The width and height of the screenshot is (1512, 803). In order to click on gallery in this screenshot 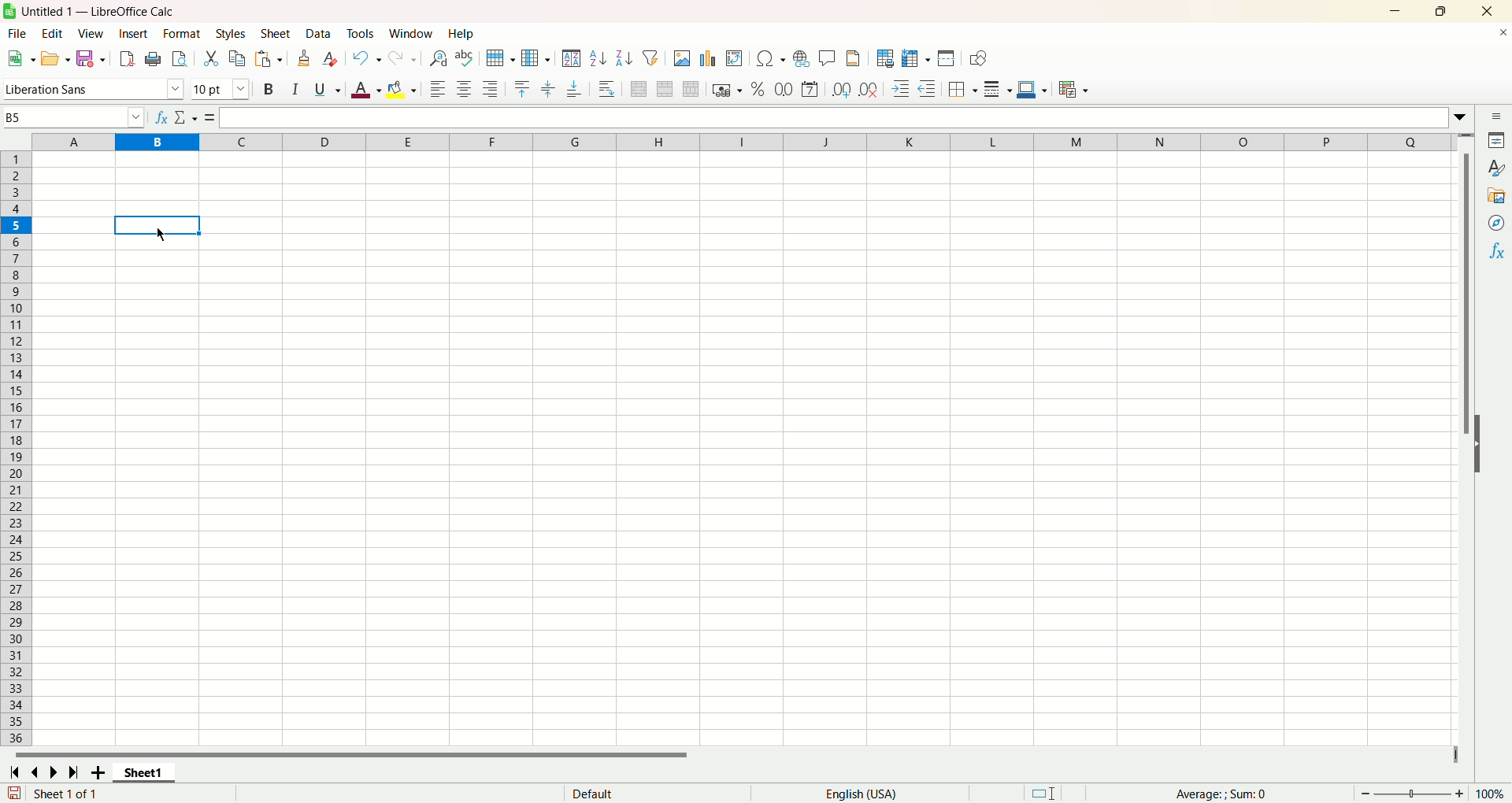, I will do `click(1494, 196)`.